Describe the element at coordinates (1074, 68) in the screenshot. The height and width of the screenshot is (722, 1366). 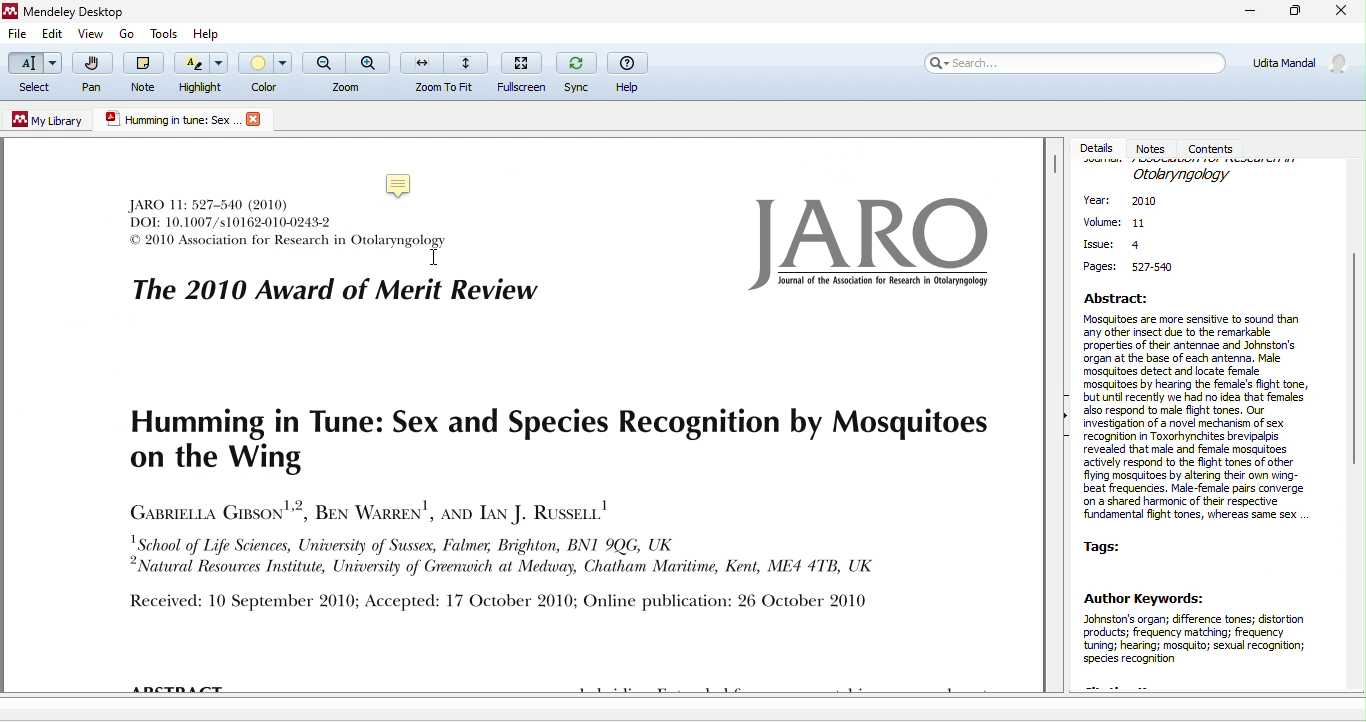
I see `search bar` at that location.